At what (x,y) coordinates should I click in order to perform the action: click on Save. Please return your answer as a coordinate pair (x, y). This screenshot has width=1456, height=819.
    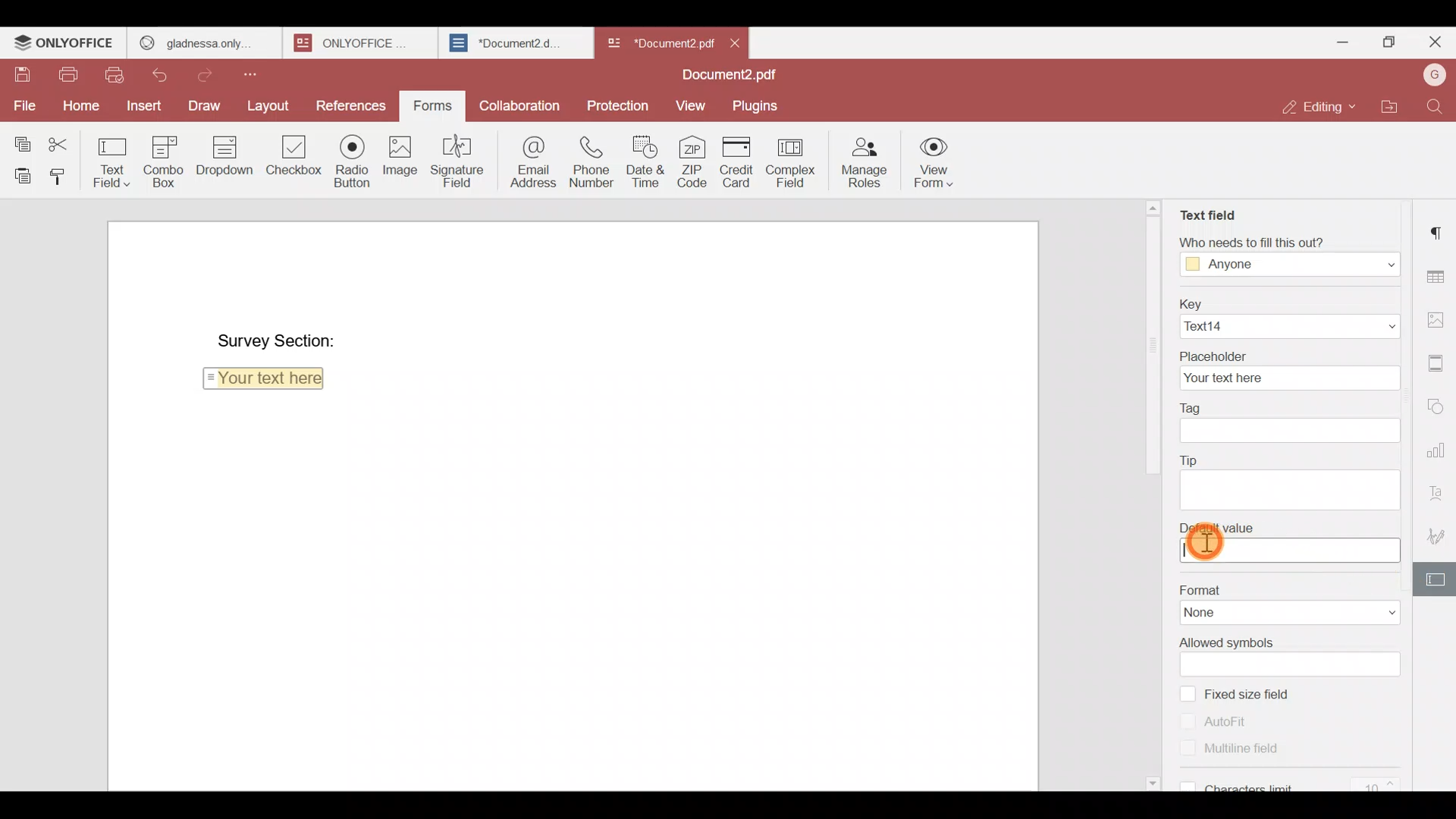
    Looking at the image, I should click on (15, 69).